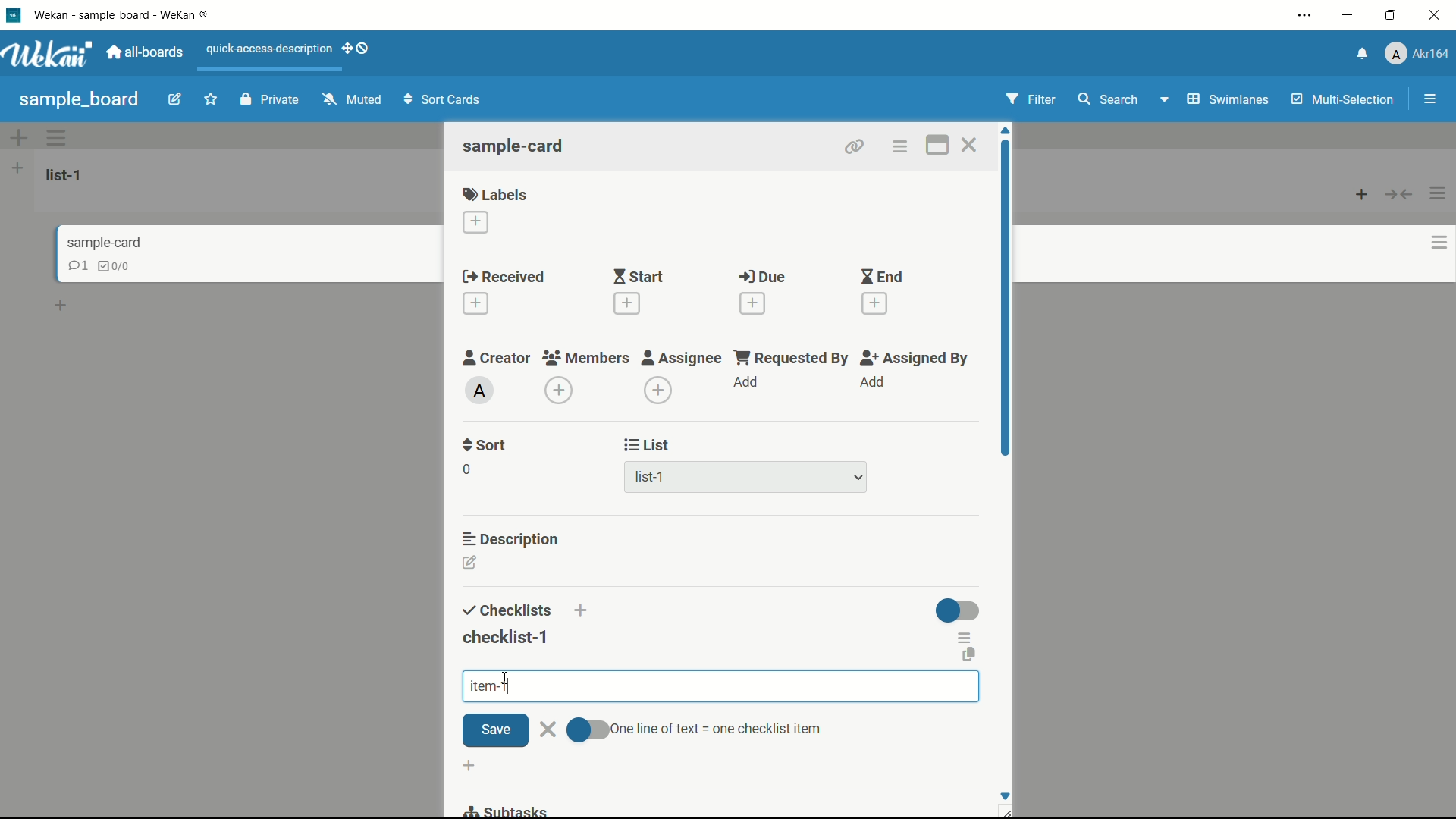  Describe the element at coordinates (268, 49) in the screenshot. I see `quick-access-description` at that location.